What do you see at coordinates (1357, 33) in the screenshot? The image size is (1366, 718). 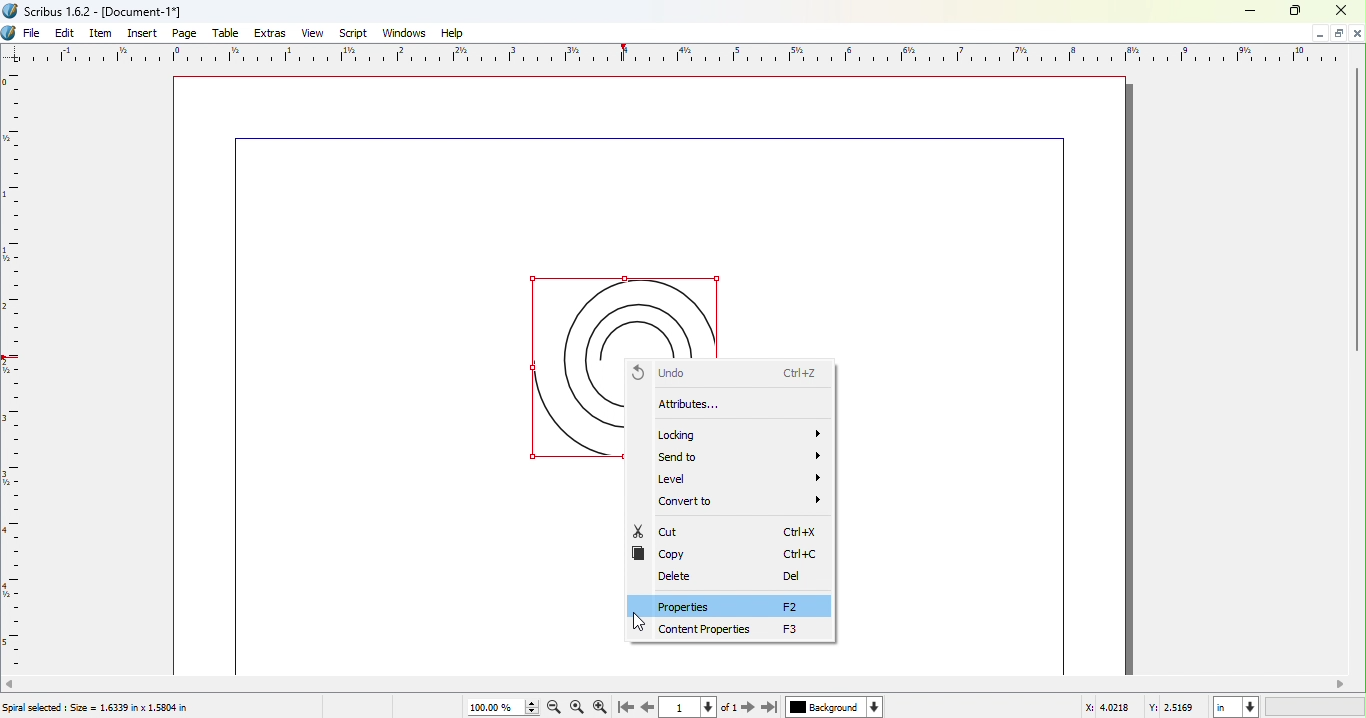 I see `Close document` at bounding box center [1357, 33].